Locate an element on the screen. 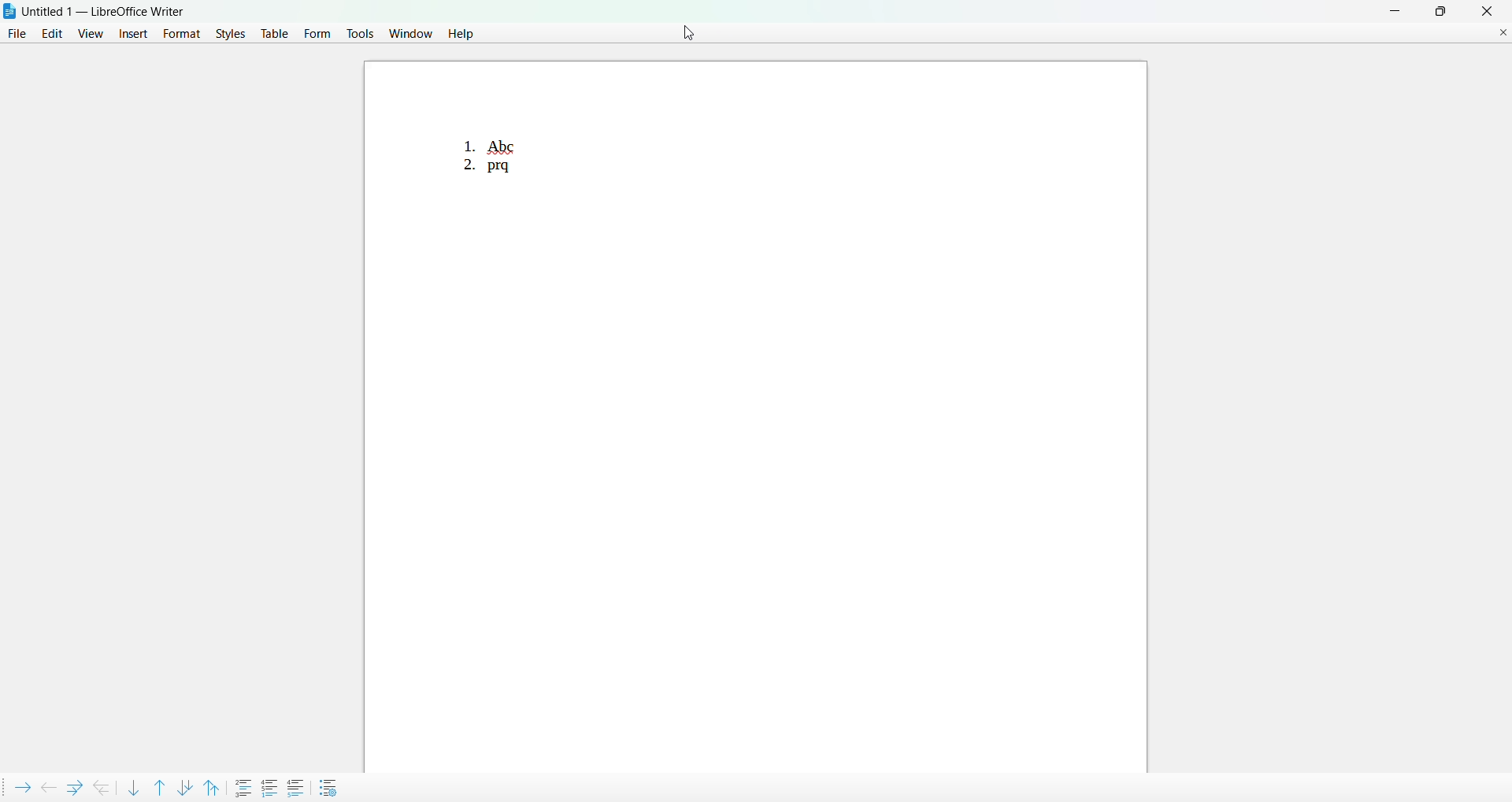 The image size is (1512, 802). 2 is located at coordinates (463, 169).